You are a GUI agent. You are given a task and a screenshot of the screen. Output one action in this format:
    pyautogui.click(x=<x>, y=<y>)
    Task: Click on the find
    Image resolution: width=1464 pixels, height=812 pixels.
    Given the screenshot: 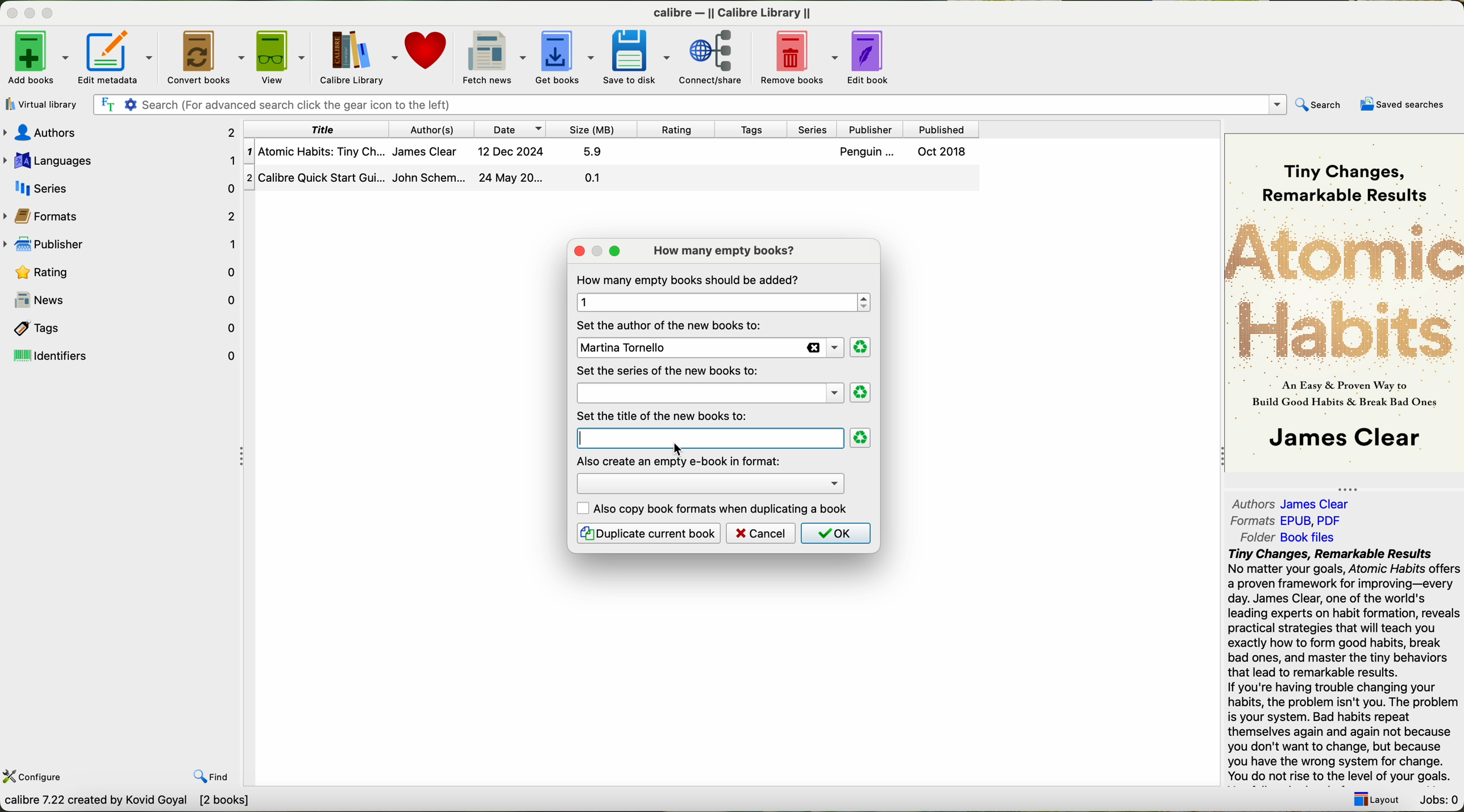 What is the action you would take?
    pyautogui.click(x=212, y=778)
    